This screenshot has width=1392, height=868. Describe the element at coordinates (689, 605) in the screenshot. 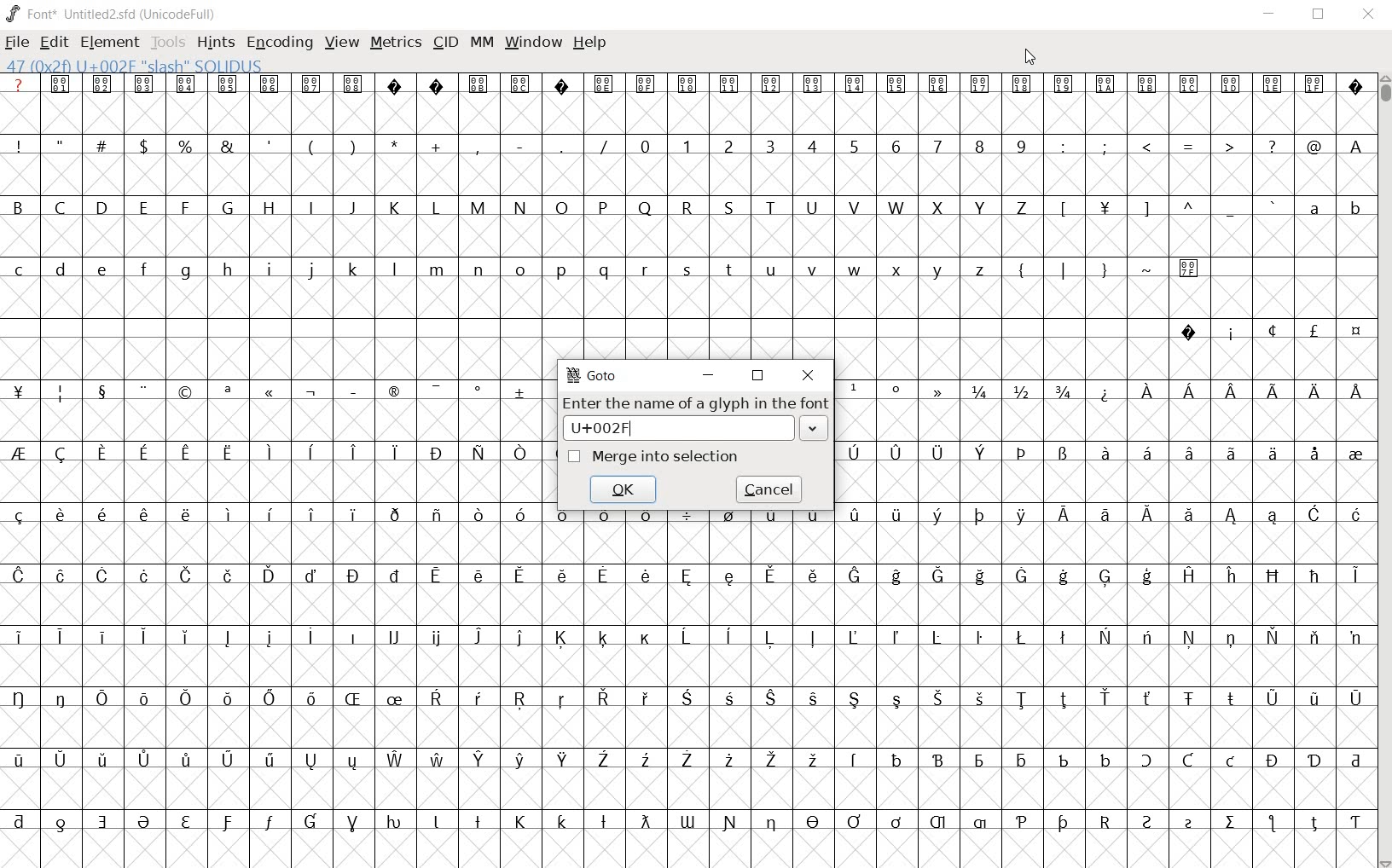

I see `empty cells` at that location.